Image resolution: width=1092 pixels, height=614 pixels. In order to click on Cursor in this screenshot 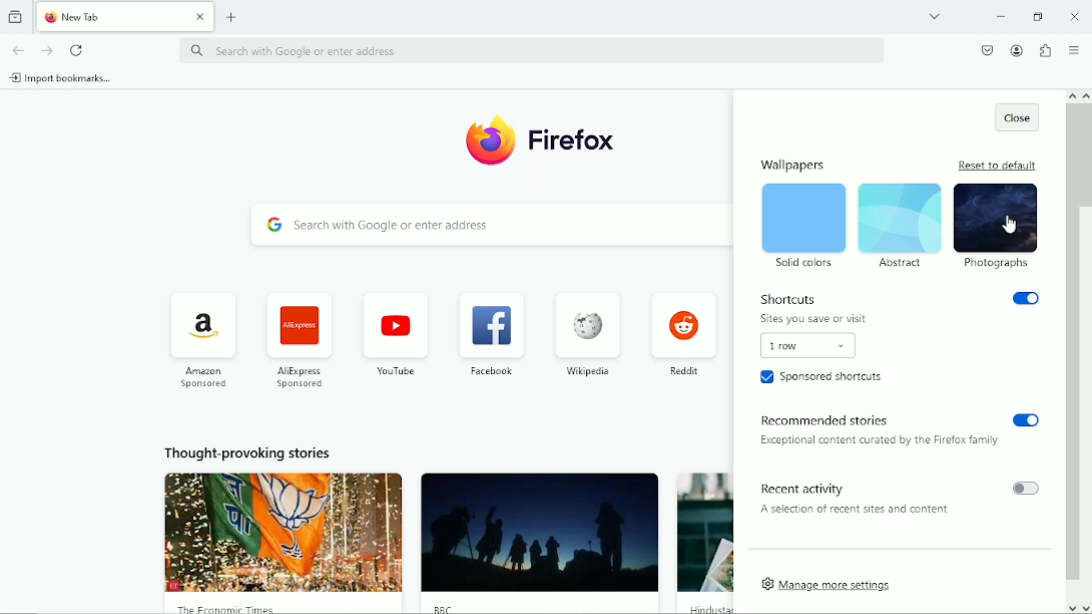, I will do `click(1009, 226)`.